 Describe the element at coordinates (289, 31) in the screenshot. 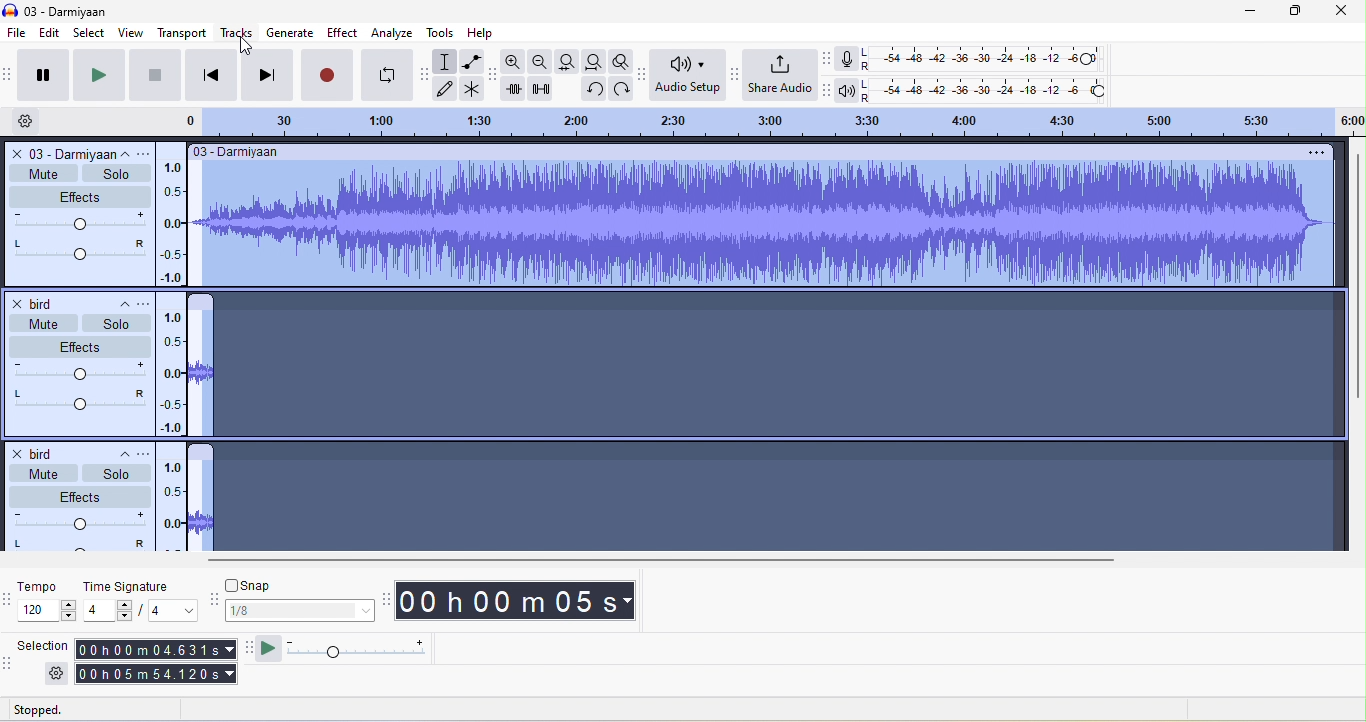

I see `generate` at that location.